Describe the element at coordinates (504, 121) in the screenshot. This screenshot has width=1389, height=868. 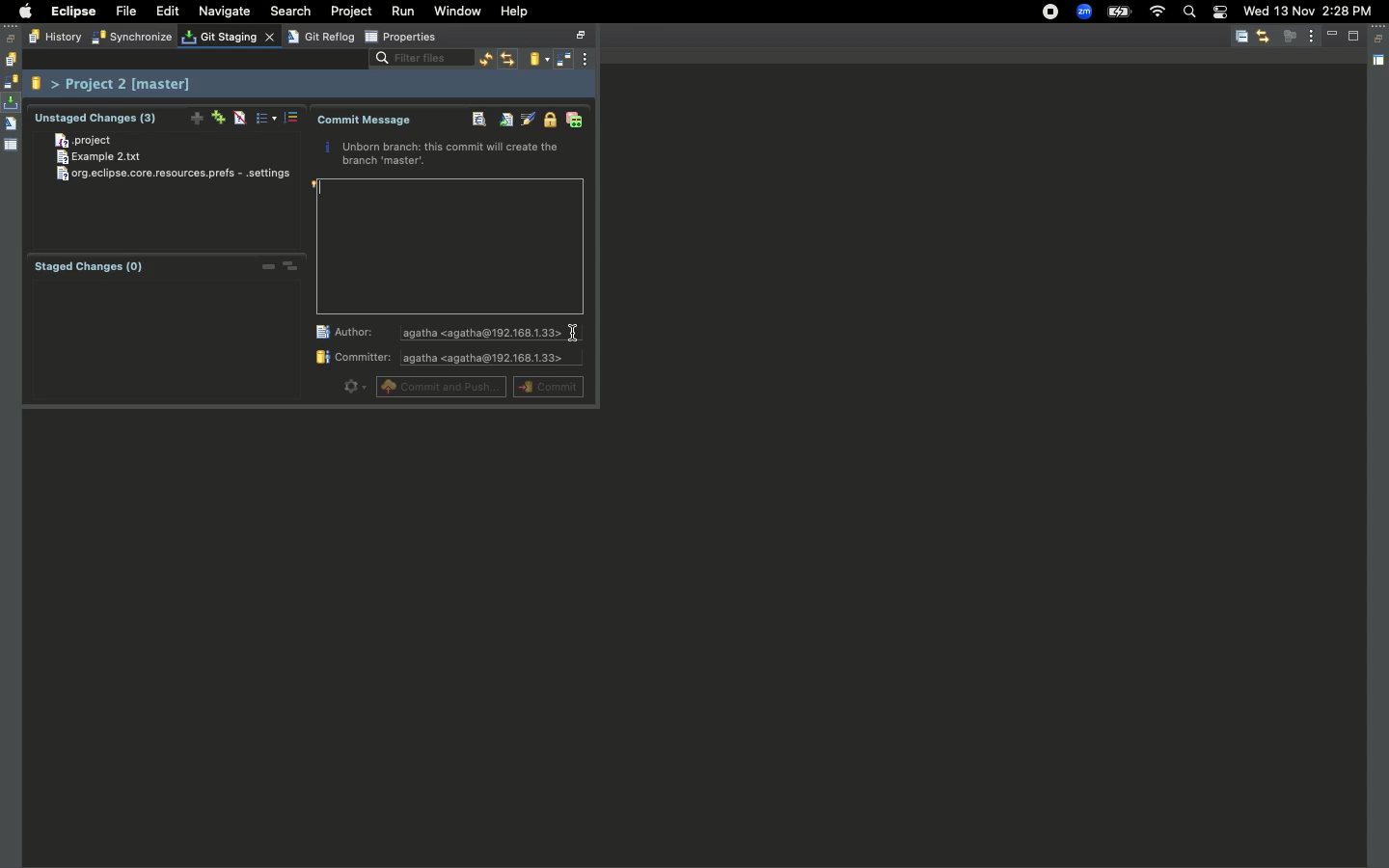
I see `Amend` at that location.